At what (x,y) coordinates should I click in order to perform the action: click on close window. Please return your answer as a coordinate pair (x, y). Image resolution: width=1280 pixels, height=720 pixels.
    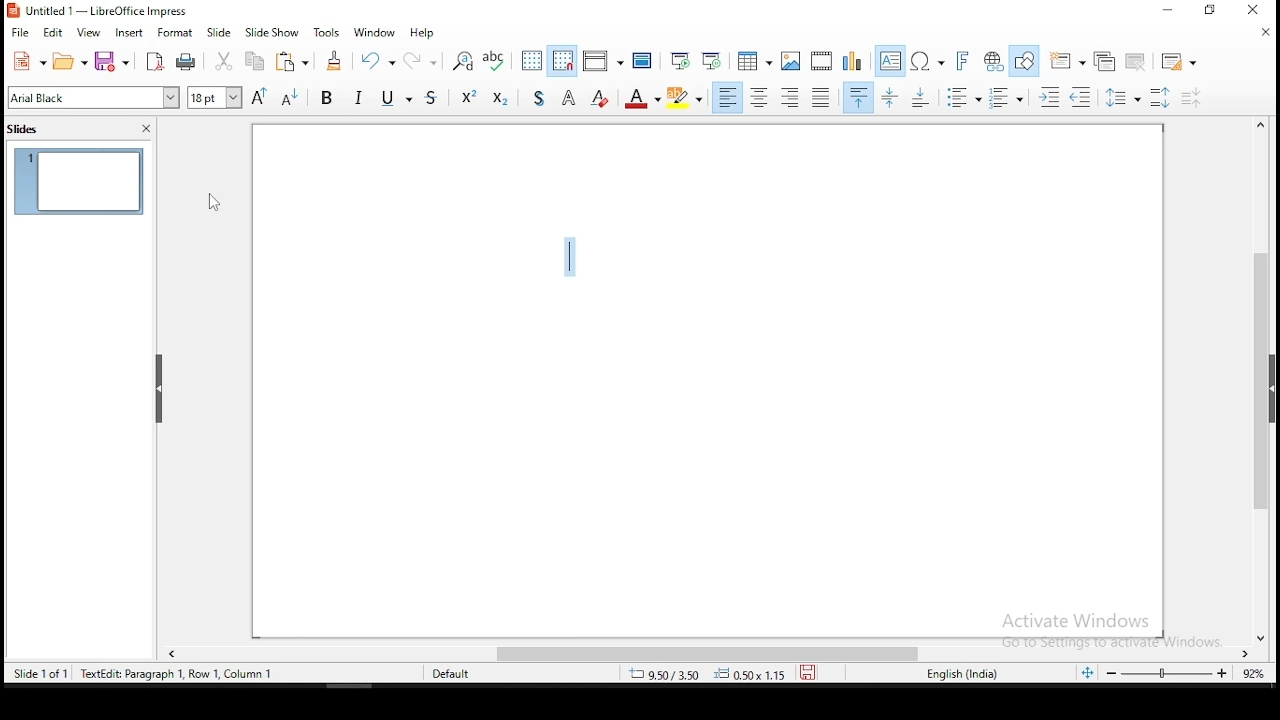
    Looking at the image, I should click on (1249, 9).